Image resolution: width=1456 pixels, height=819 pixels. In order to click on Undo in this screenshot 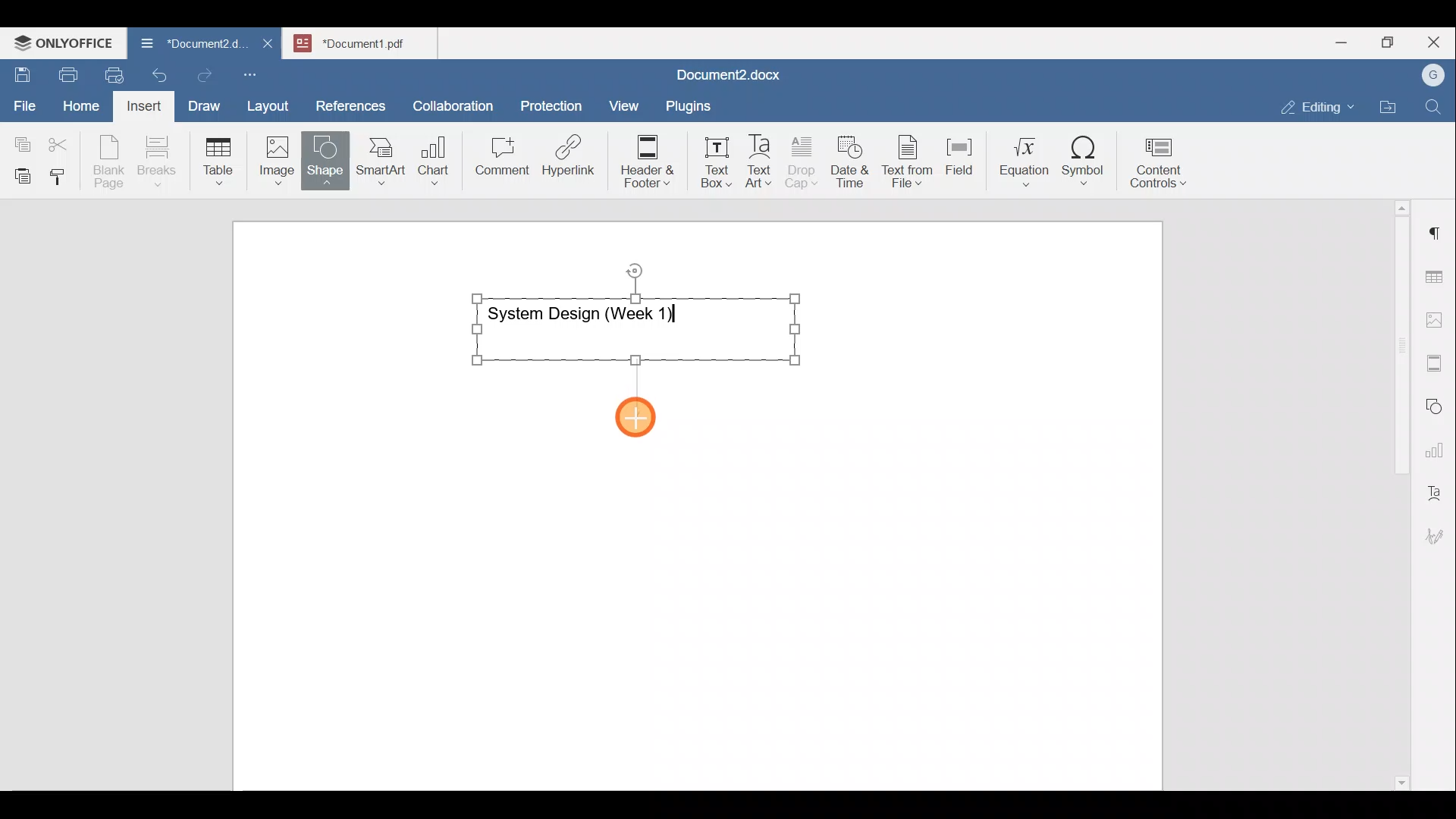, I will do `click(156, 73)`.